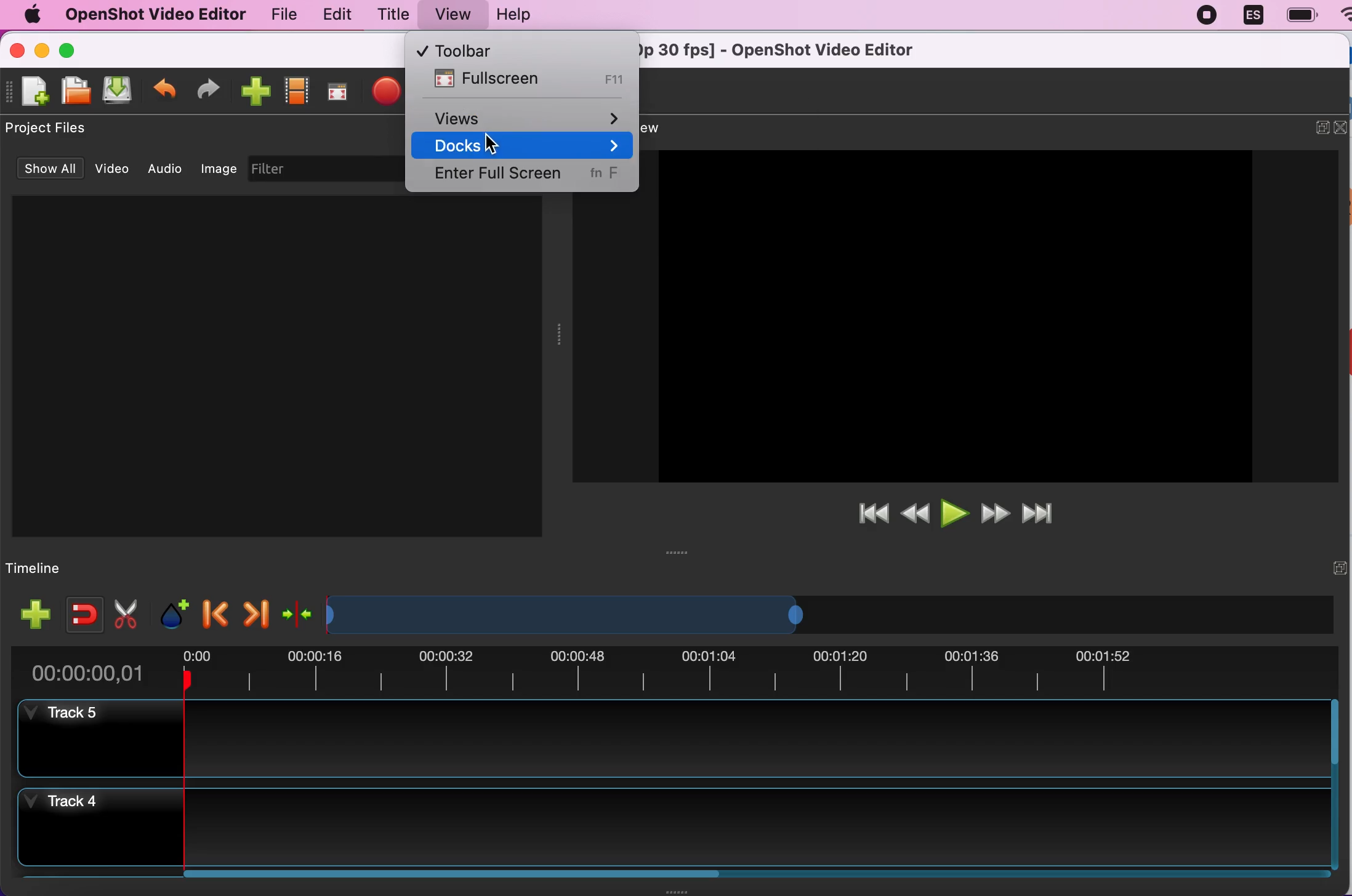 The height and width of the screenshot is (896, 1352). I want to click on Project files preview space, so click(276, 366).